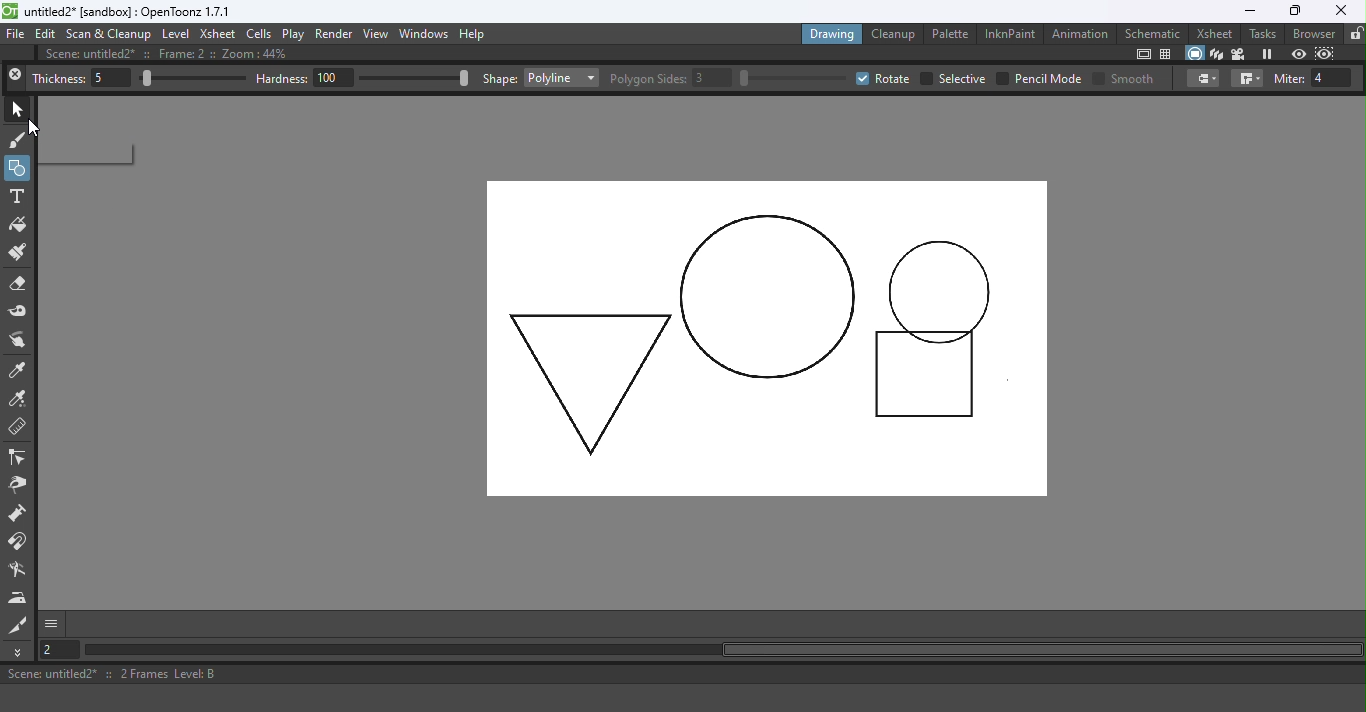 The height and width of the screenshot is (712, 1366). I want to click on Cutter tool, so click(18, 625).